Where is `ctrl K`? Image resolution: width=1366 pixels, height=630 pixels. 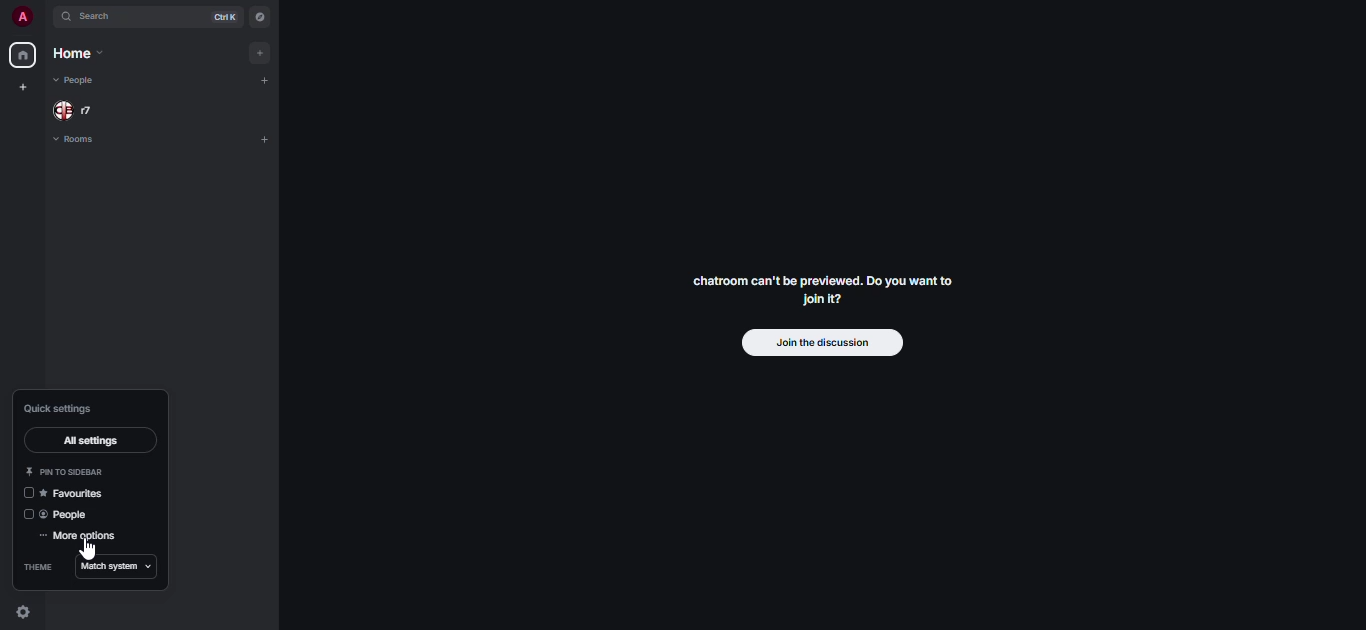 ctrl K is located at coordinates (224, 15).